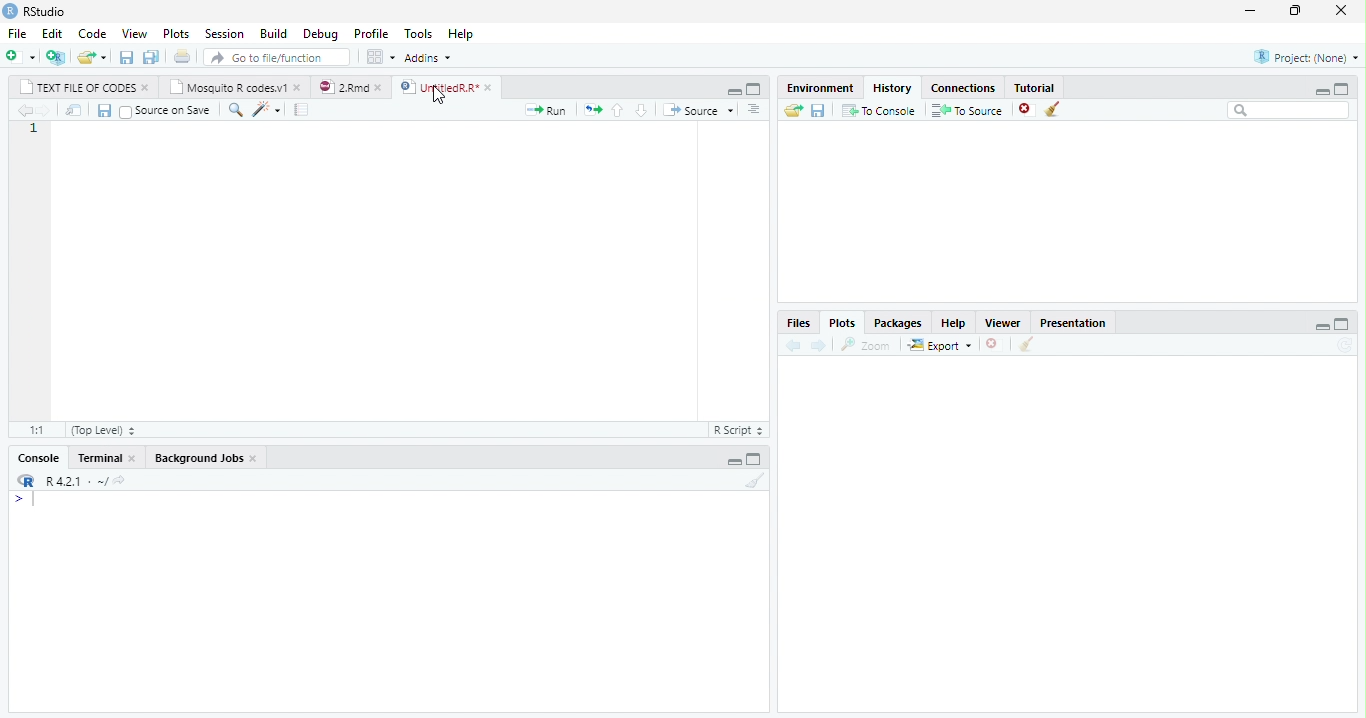  What do you see at coordinates (1346, 89) in the screenshot?
I see `maximize` at bounding box center [1346, 89].